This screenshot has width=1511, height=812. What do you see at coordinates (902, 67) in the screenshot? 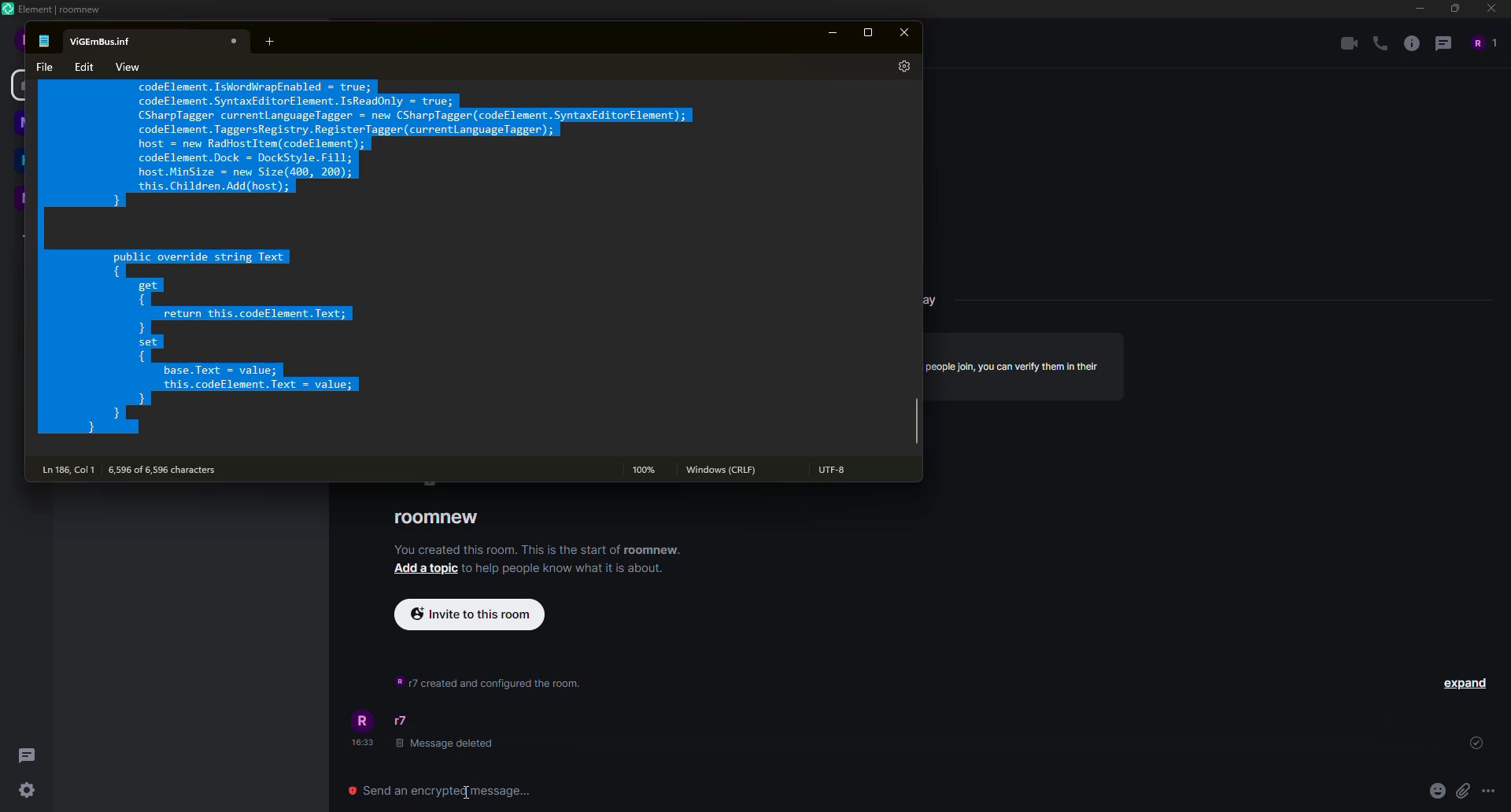
I see `settings` at bounding box center [902, 67].